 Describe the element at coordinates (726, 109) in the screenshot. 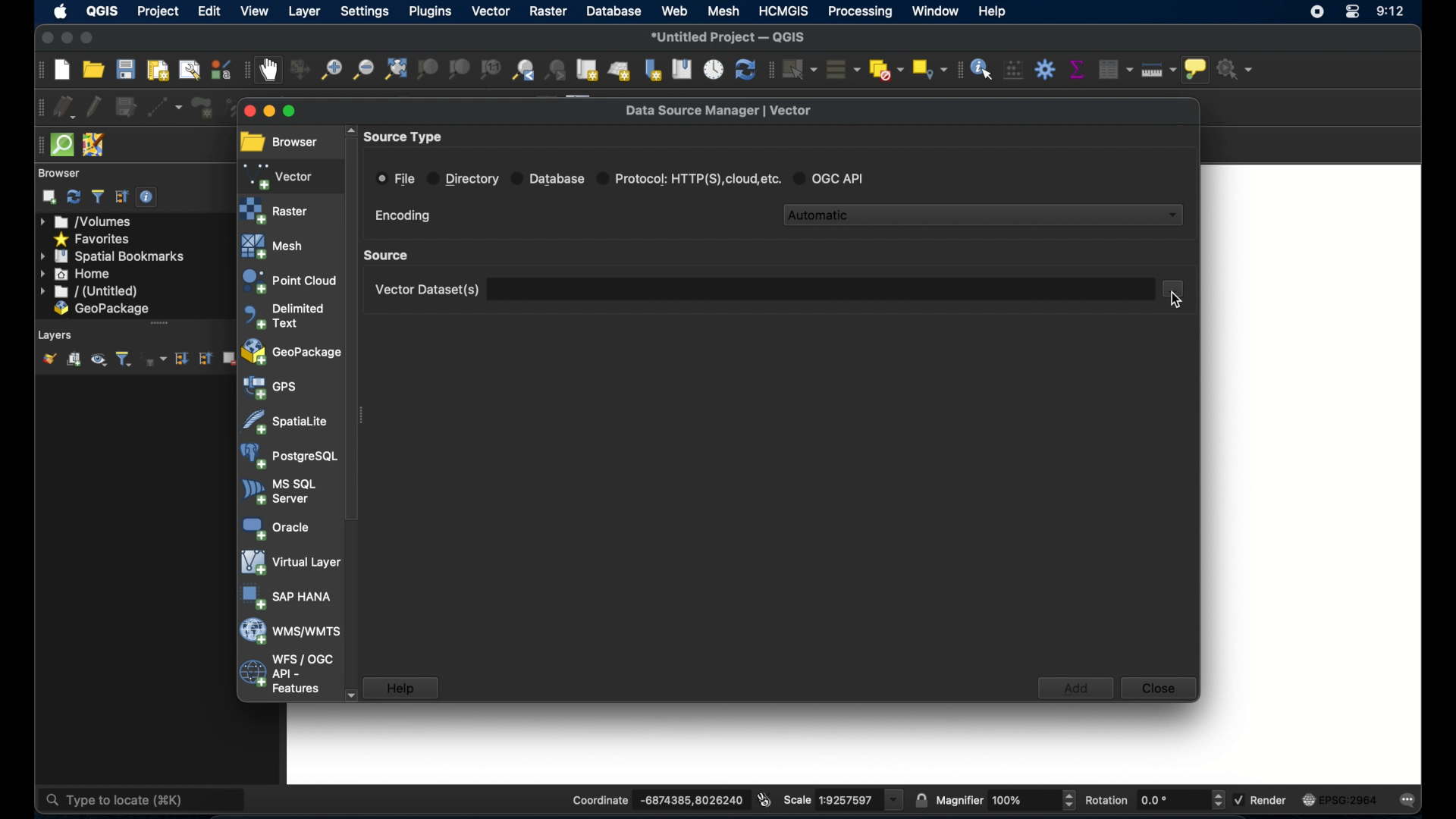

I see `Data Source manager Vector` at that location.